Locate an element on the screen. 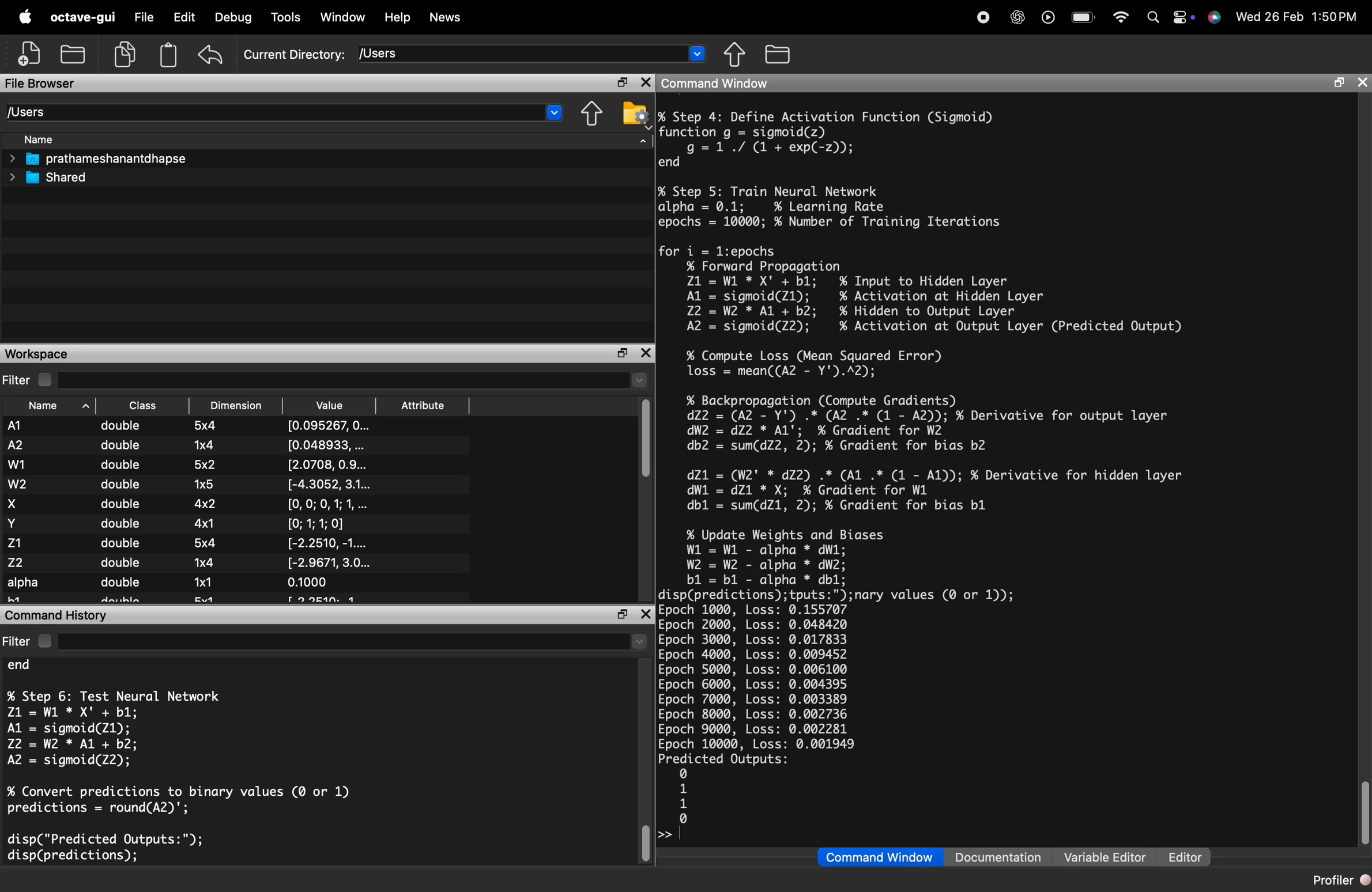  % Step 4: Define Activation Function (Sigmoid)function g = sigmoid(z)g=1./ QA + exp(-2));end% Step 5: Train Neural Networkalpha = 0.1; % Learning Rateepochs = 10000; % Number of Training Iterationsfor i = l:epochs% Forward PropagationZ1 =W1 * X'" + bl; % Input to Hidden LayerAl = sigmoid(Z1); % Activation at Hidden LayerZ2 = W2 * Al + b2; % Hidden to Output LayerA2 = sigmoid(Z2); % Activation at Output Layer (Predicted Output)% Compute Loss (Mean Squared Error)loss = mean((A2 - Y').A2);% Backpropagation (Compute Gradients)dz2 = (A2 - Y') .* (A2 .* (1 - A2)); % Derivative for output layerdW2 = dZ2 * A1'; % Gradient for W2db2 = sum(dZ2, 2); % Gradient for bias b2dZ1 = (W2'" * dz2) .* (Al .* (1 - A1l)); % Derivative for hidden layerdWl = dZ1 * X; % Gradient for W1dbl = sum(dZ1l, 2); % Gradient for bias bl% Update Weights and BiasesWl = W1 - alpha * dWi;W2 = W2 - alpha * dW2;bl = bl - alpha * dbl;disp(predictions);tputs:");nary values (@ or 1));Epoch 1000, Loss: 0.155707Epoch 2000, Loss: 0.048420Epoch 3000, Loss: 0.017833Epoch 4000, Loss: 0.009452Epoch 5000, Loss: 0.006100Epoch 6000, Loss: 0.004395Epoch 7000, Loss: 0.003389Epoch 8000, Loss: 0.002736Epoch 9000, Loss: 0.002281Epoch 10000, Loss: 0.001949Predicted Outputs:0 1 1 0 is located at coordinates (930, 463).